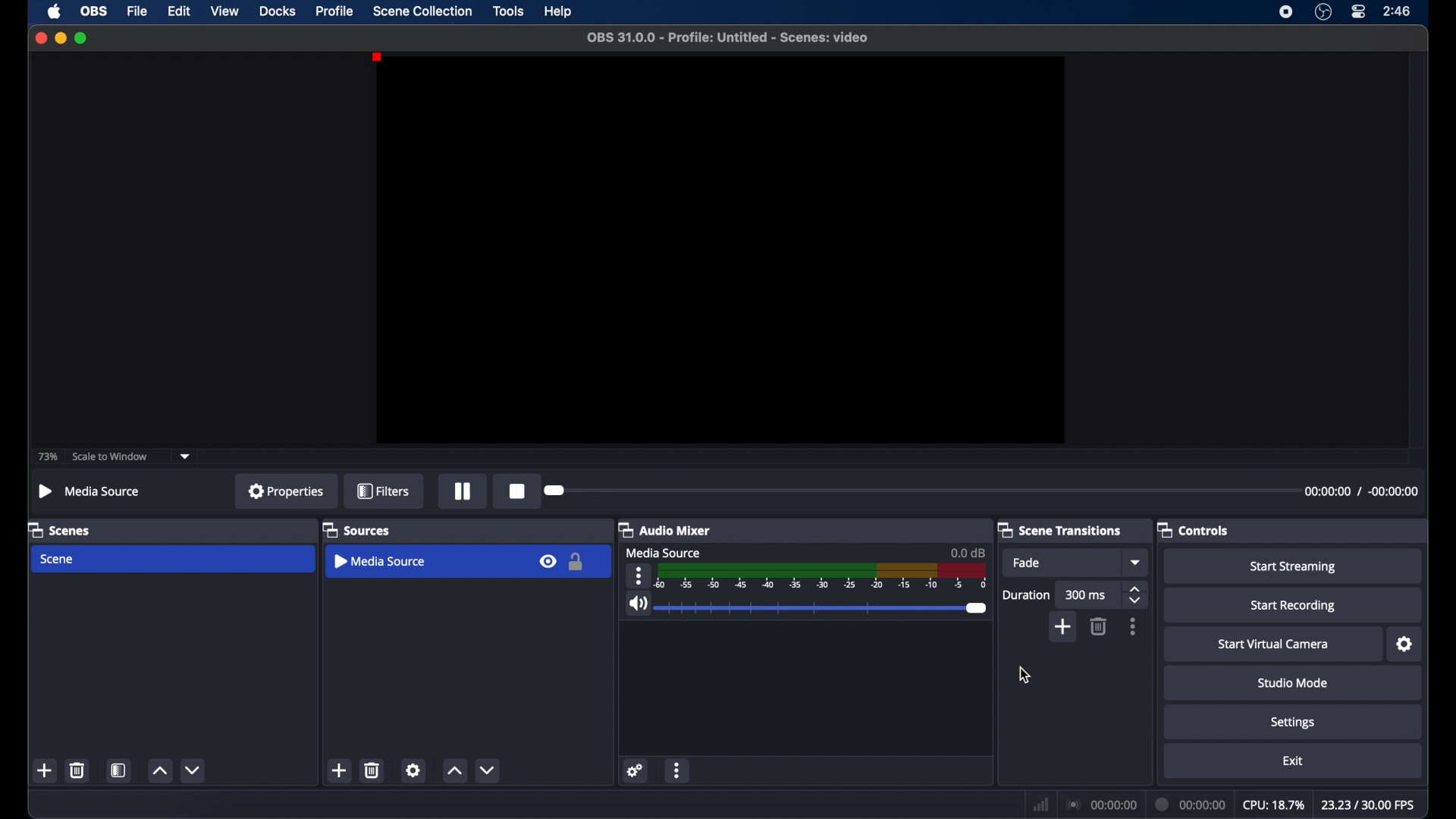 Image resolution: width=1456 pixels, height=819 pixels. Describe the element at coordinates (382, 491) in the screenshot. I see `Filters` at that location.